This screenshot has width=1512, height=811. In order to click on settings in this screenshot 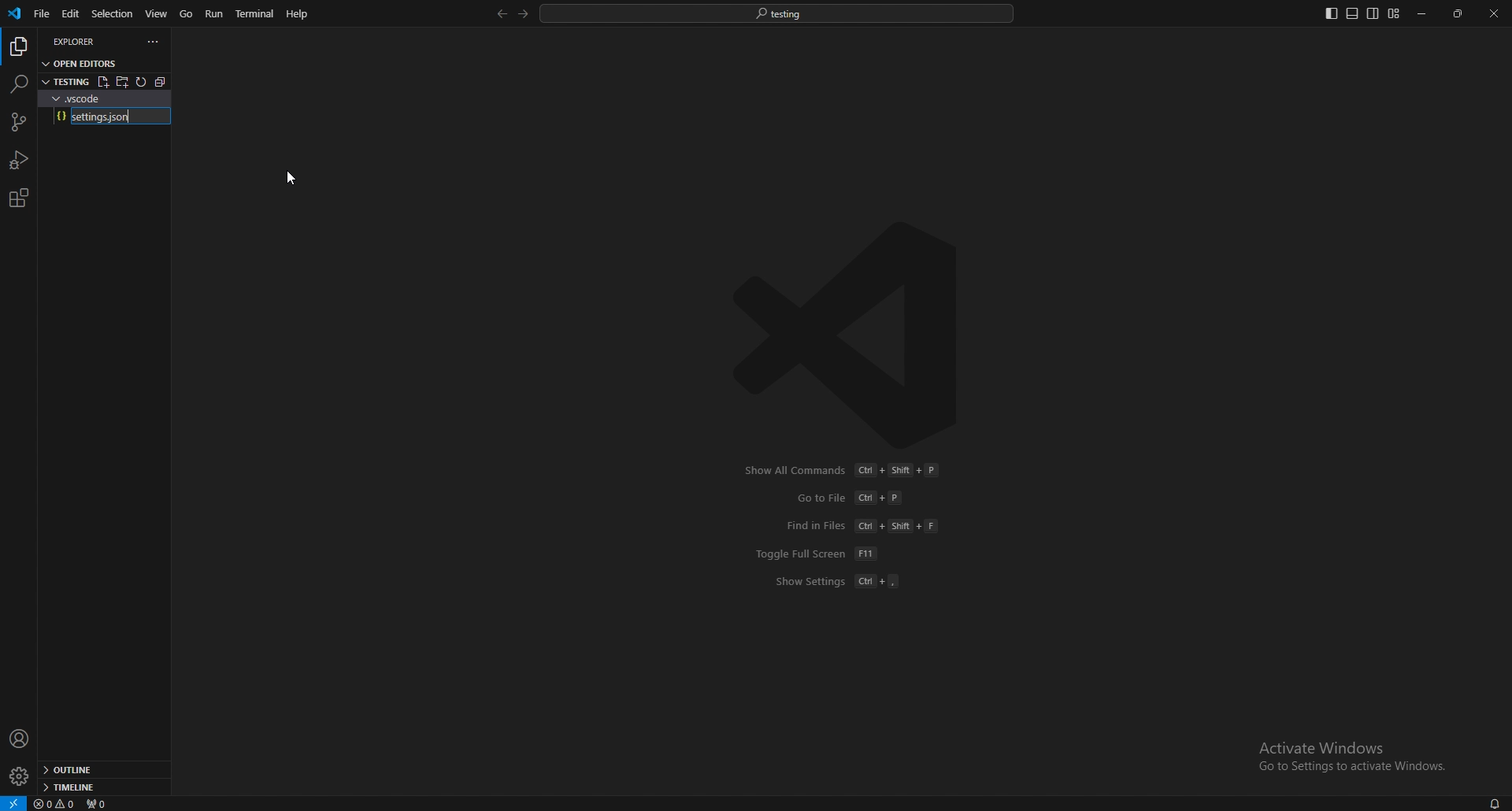, I will do `click(18, 777)`.